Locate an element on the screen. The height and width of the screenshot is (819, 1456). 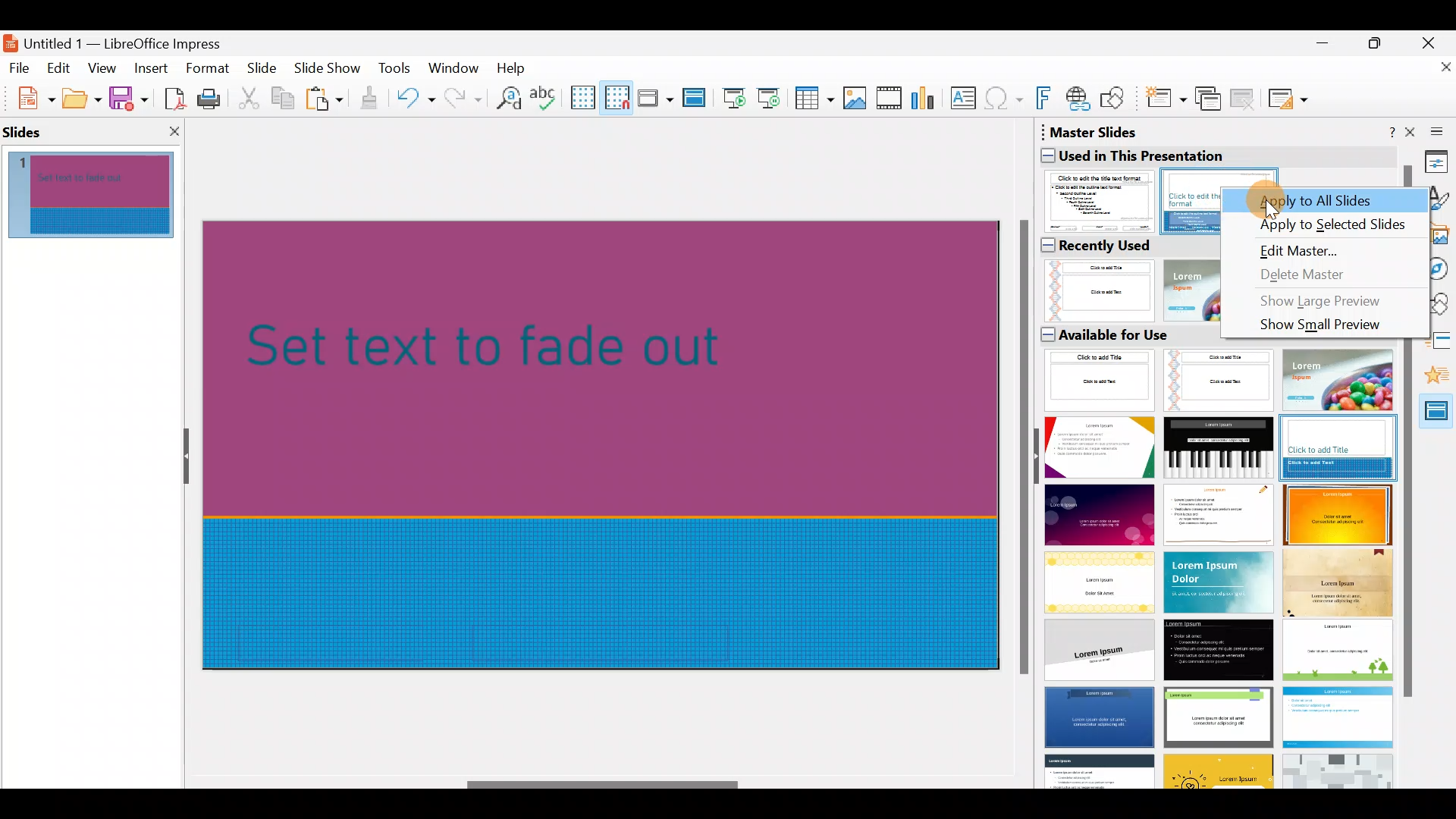
Spelling is located at coordinates (545, 97).